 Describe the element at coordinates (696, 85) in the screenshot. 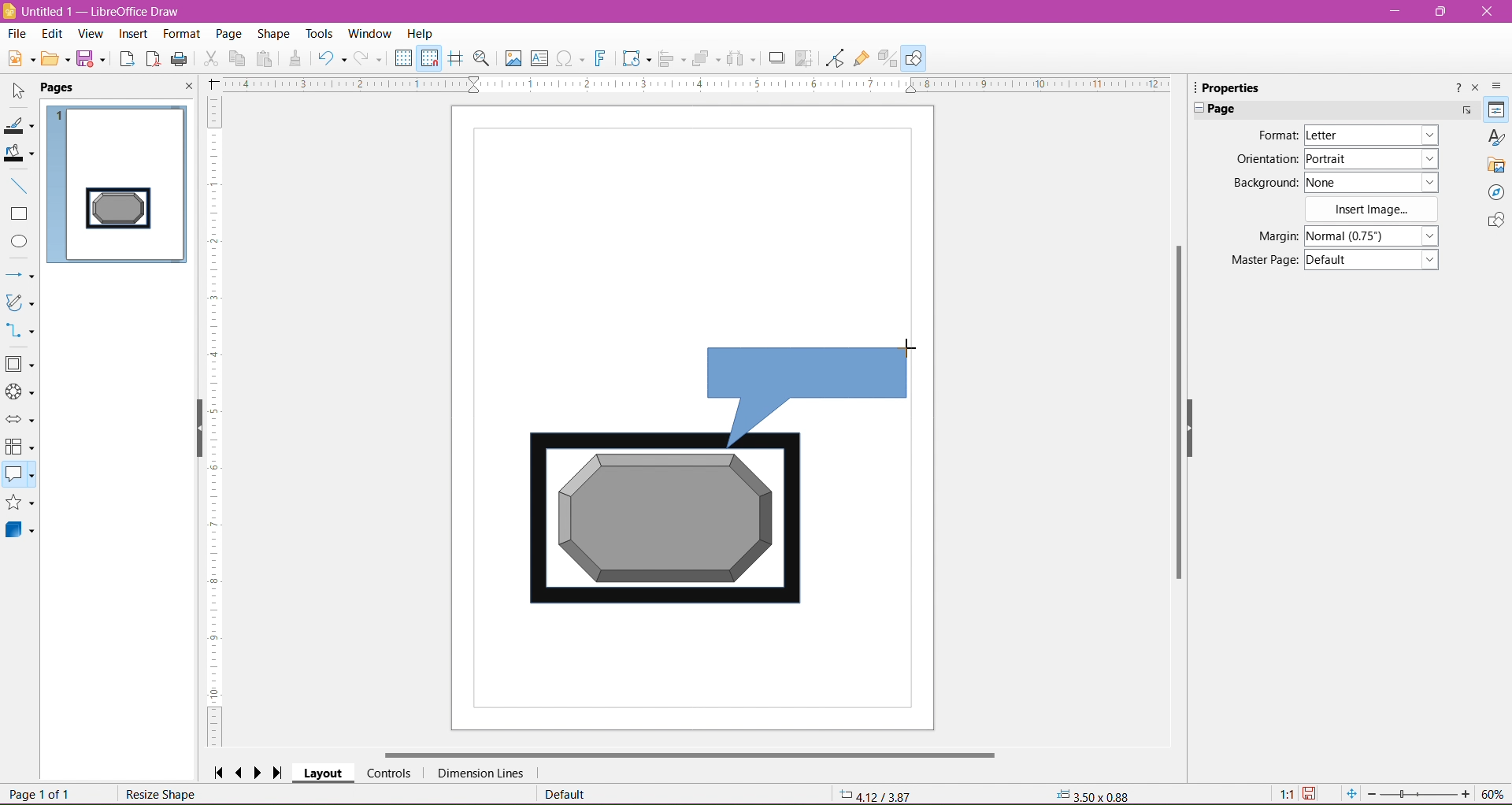

I see `Ruler` at that location.